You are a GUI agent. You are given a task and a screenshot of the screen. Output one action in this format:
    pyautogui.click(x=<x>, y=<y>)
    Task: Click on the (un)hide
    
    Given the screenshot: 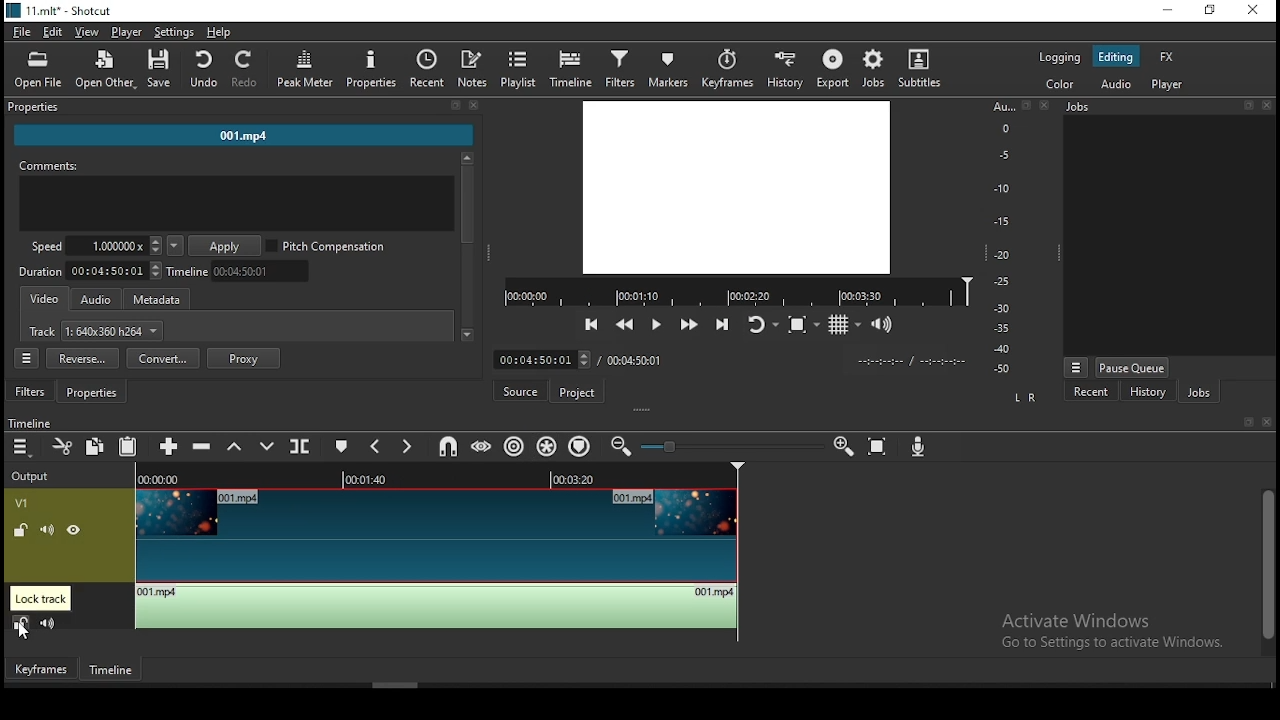 What is the action you would take?
    pyautogui.click(x=77, y=530)
    